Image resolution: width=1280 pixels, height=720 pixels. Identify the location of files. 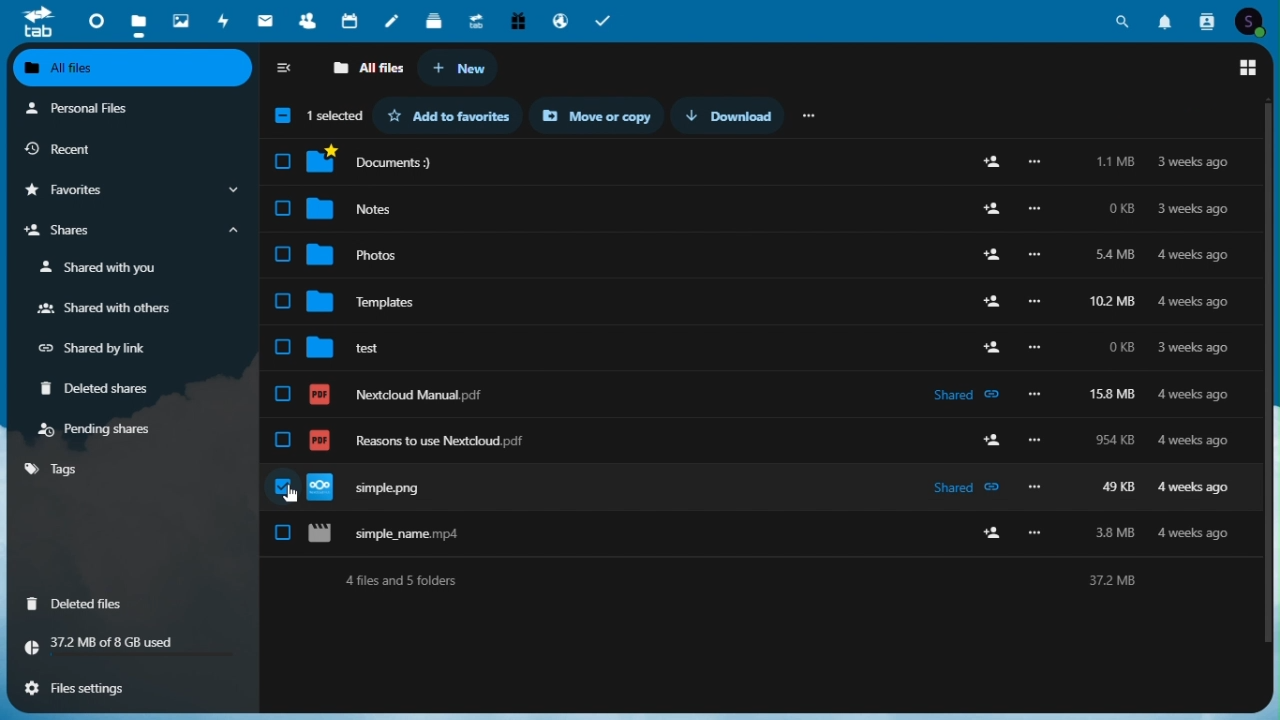
(762, 162).